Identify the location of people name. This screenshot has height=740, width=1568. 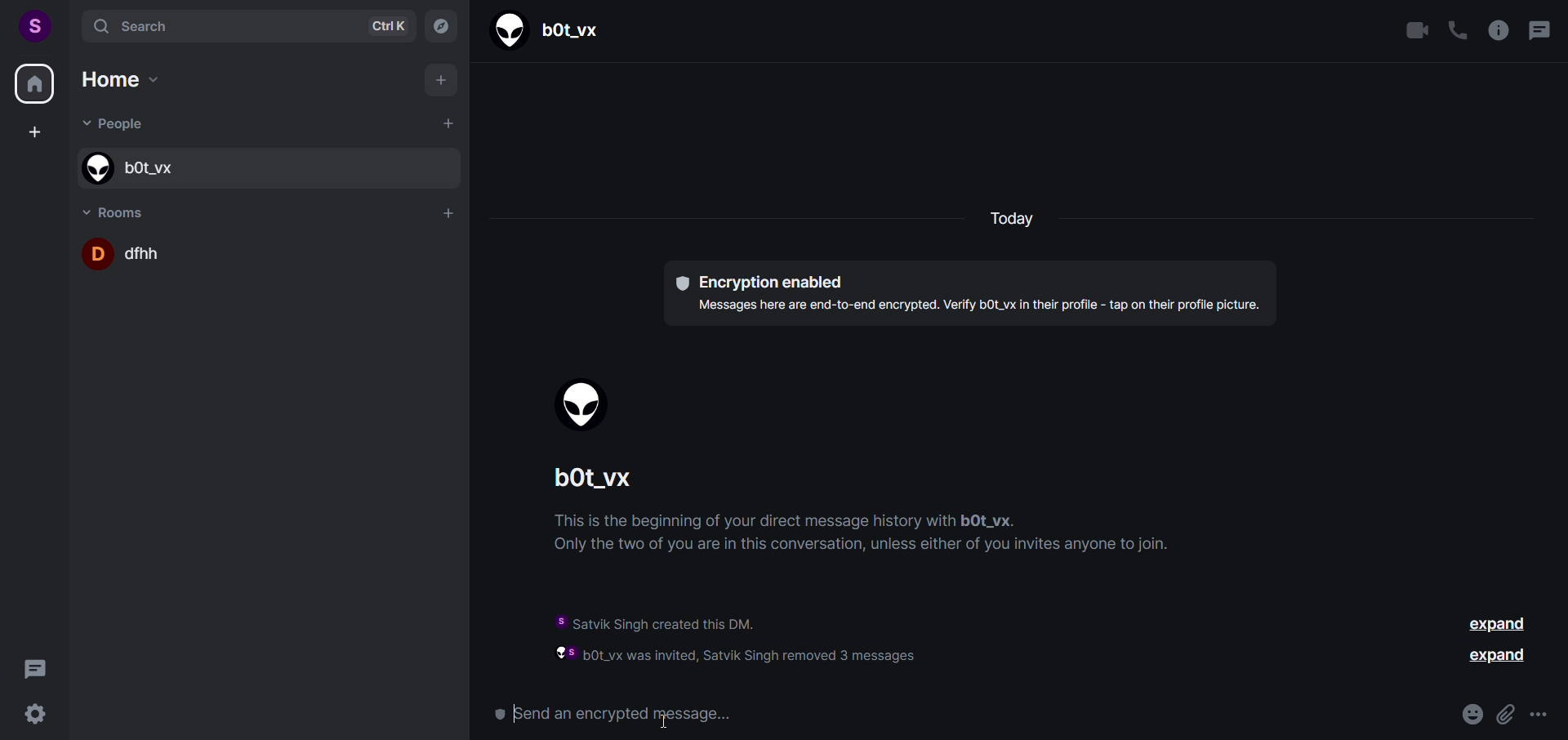
(553, 29).